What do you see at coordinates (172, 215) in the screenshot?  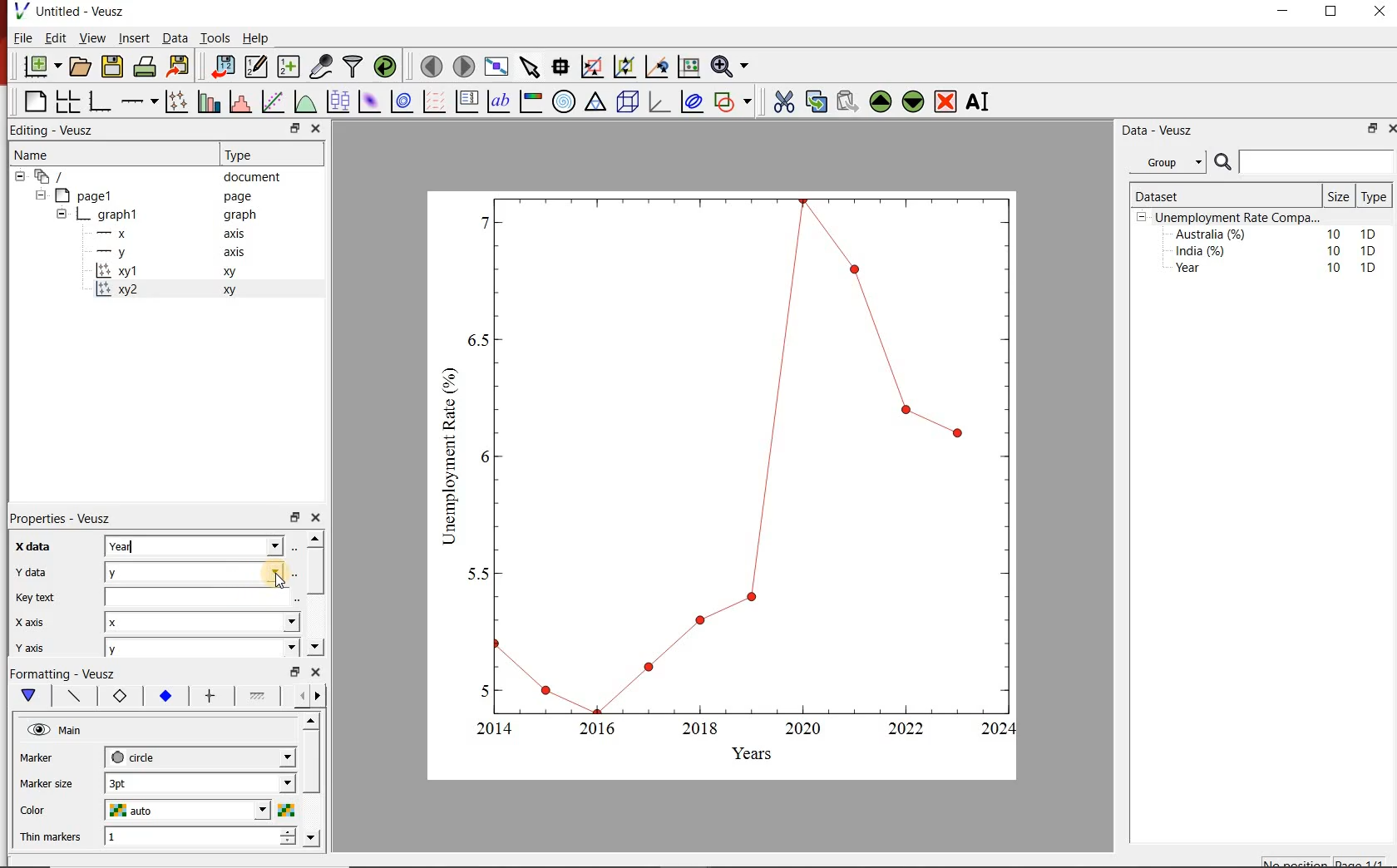 I see `graph1
pl graph` at bounding box center [172, 215].